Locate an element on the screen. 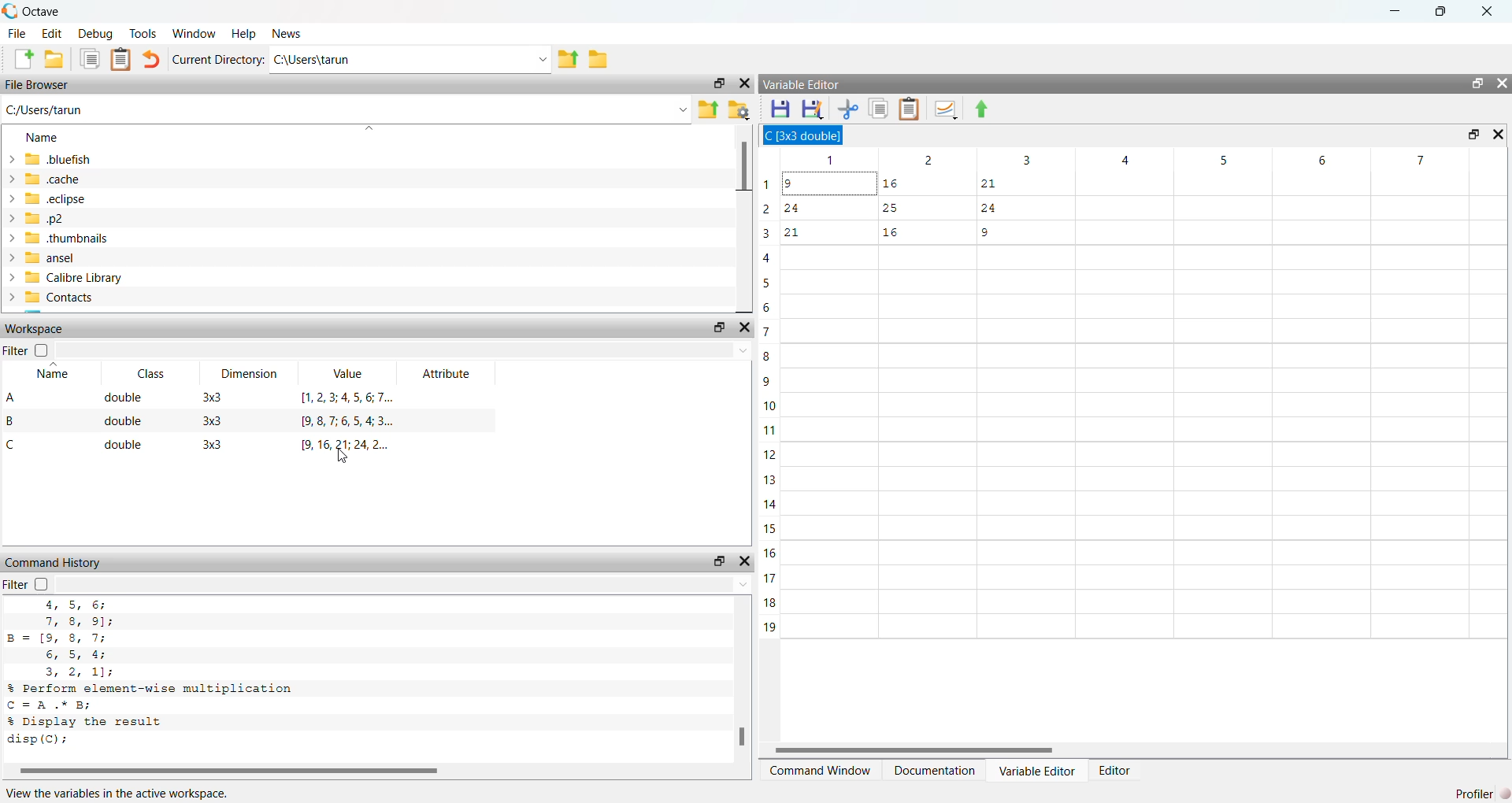  Value is located at coordinates (348, 372).